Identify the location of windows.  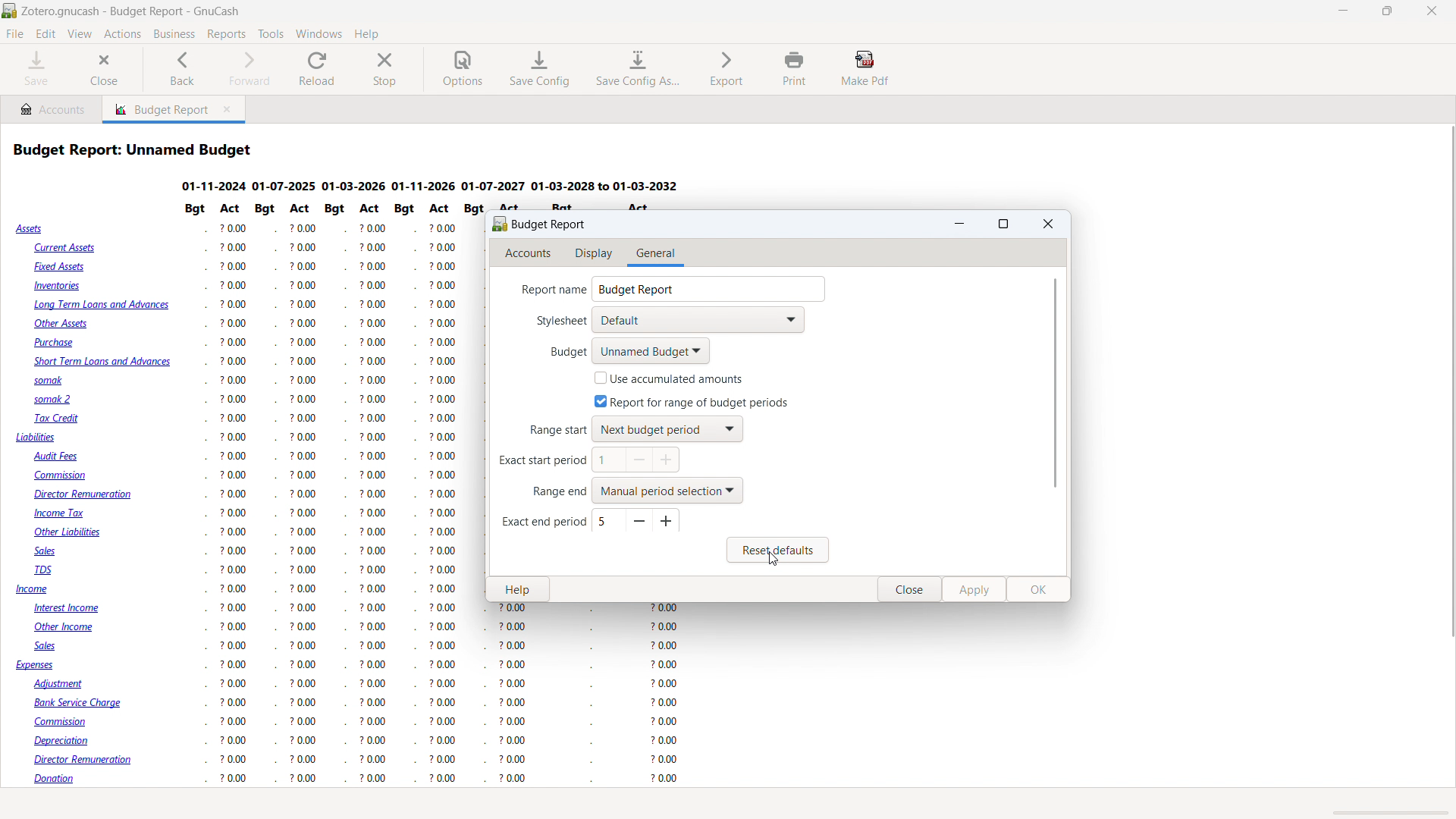
(319, 33).